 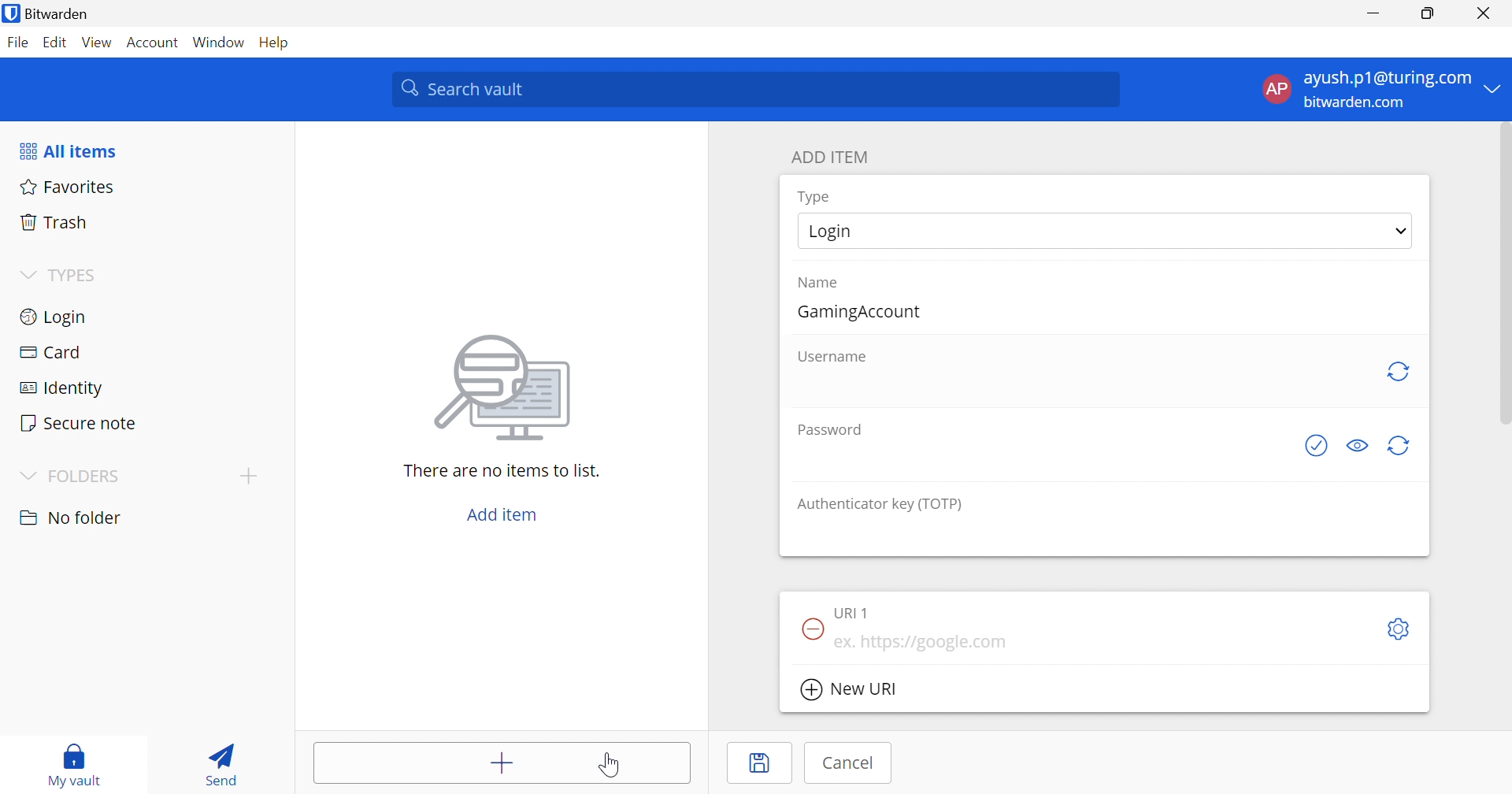 What do you see at coordinates (253, 475) in the screenshot?
I see `Add folder` at bounding box center [253, 475].